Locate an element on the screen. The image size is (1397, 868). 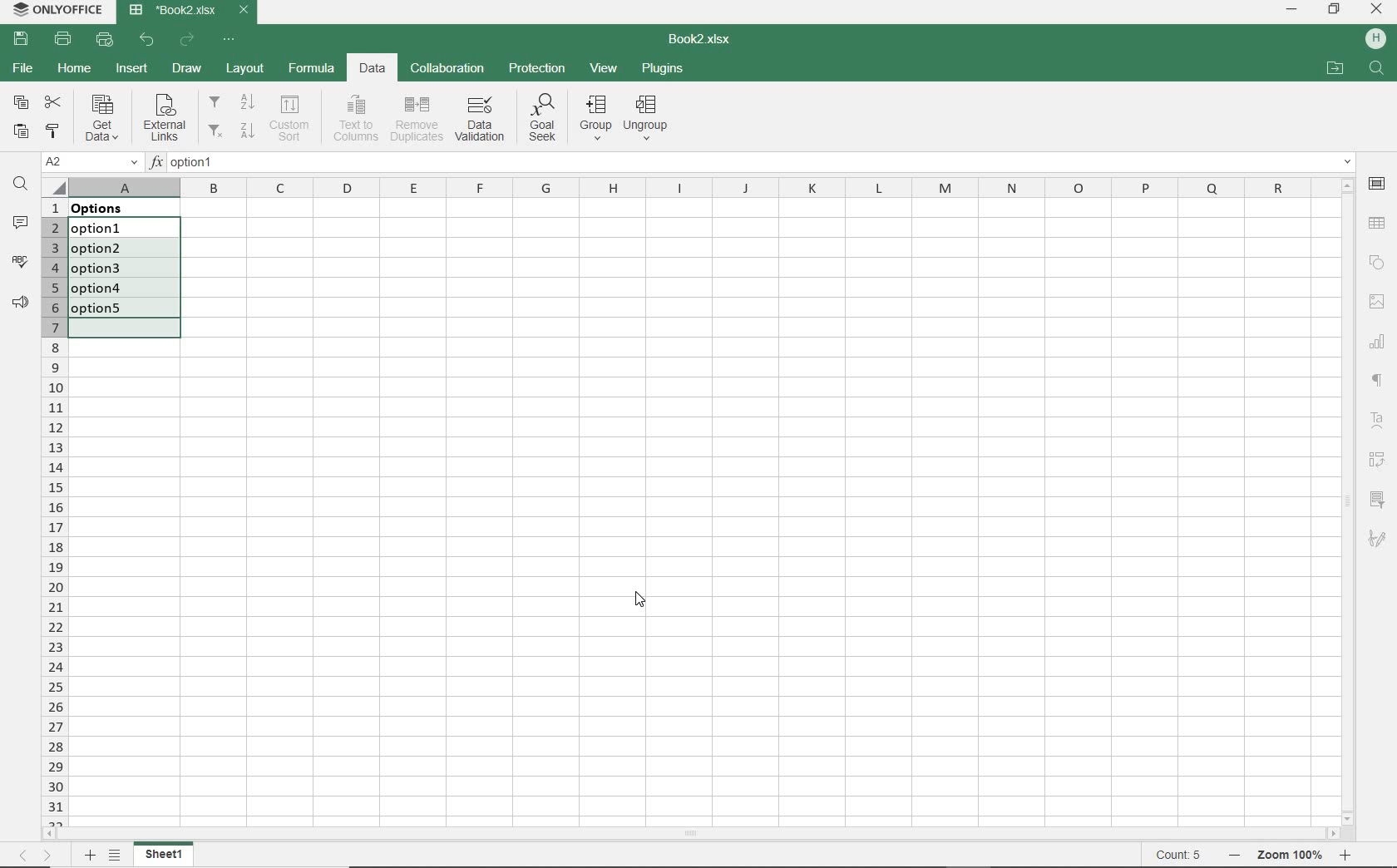
CHART is located at coordinates (1379, 344).